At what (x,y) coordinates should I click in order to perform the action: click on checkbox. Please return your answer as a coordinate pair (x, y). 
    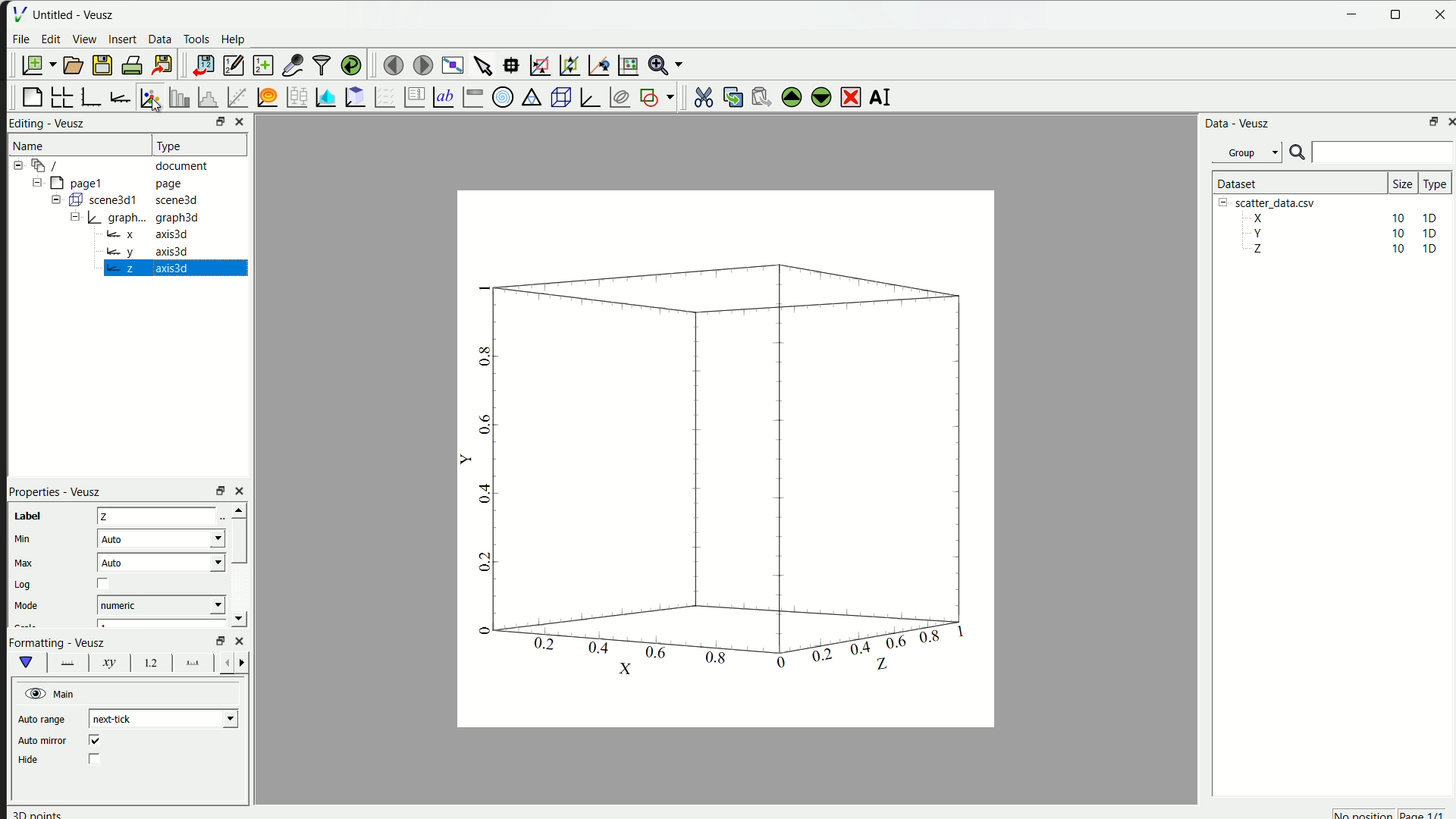
    Looking at the image, I should click on (99, 742).